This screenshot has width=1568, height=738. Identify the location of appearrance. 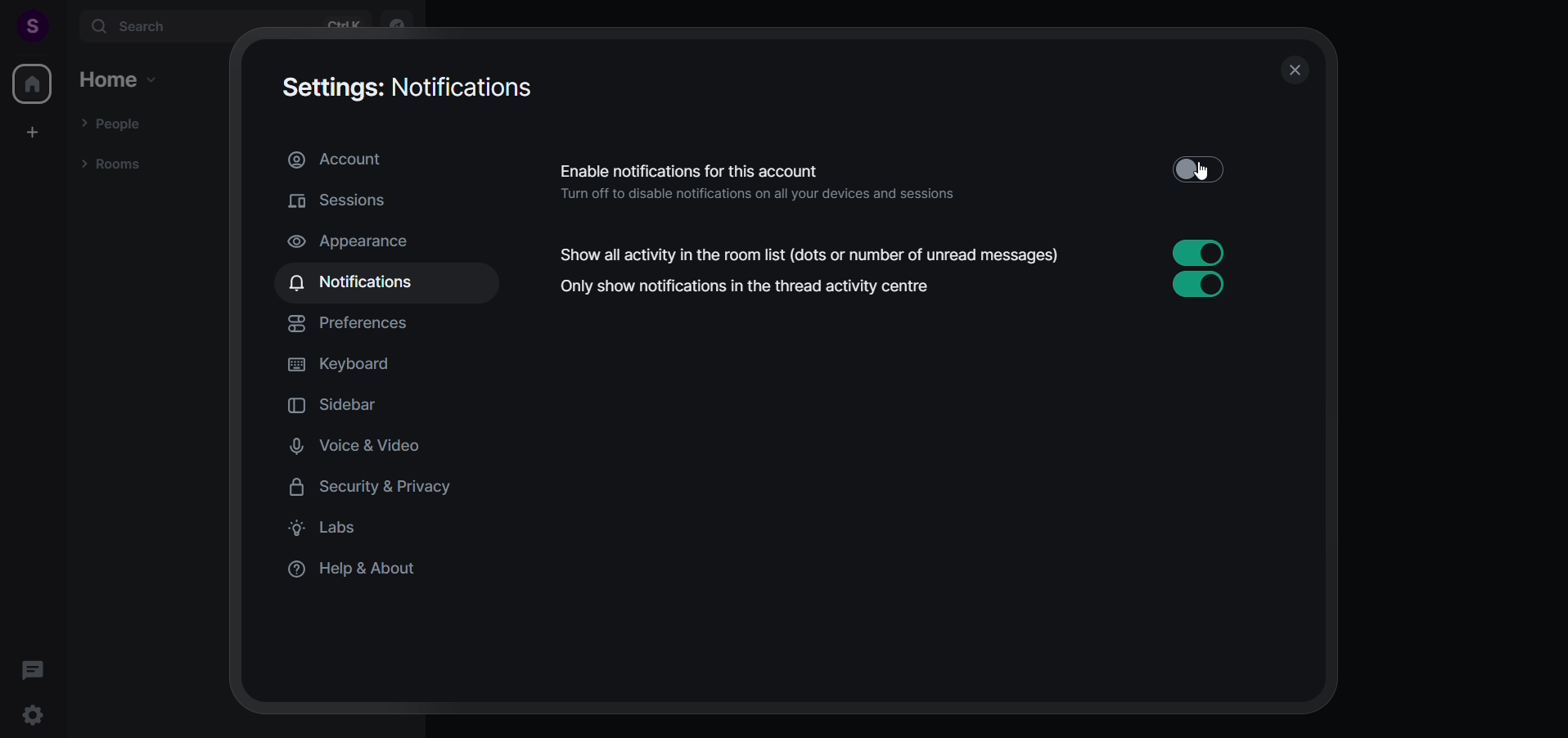
(369, 240).